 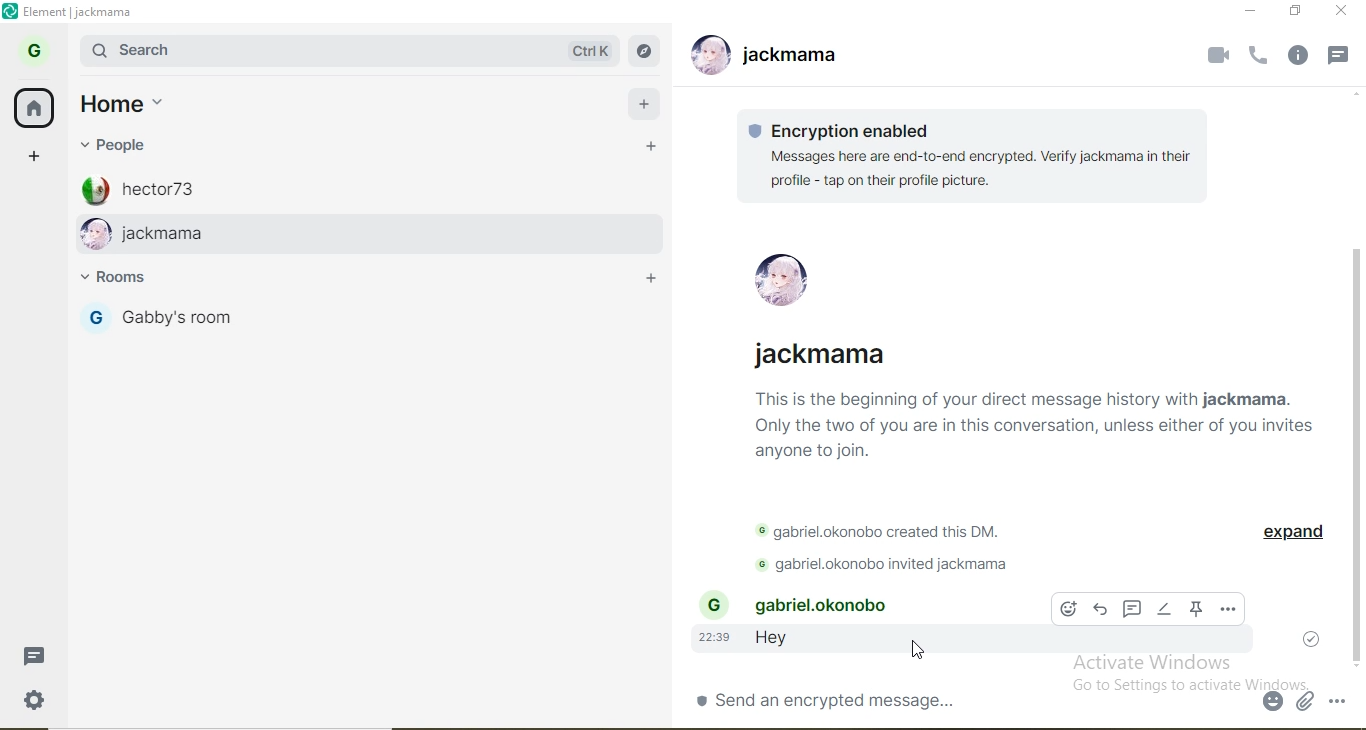 What do you see at coordinates (82, 12) in the screenshot?
I see `element` at bounding box center [82, 12].